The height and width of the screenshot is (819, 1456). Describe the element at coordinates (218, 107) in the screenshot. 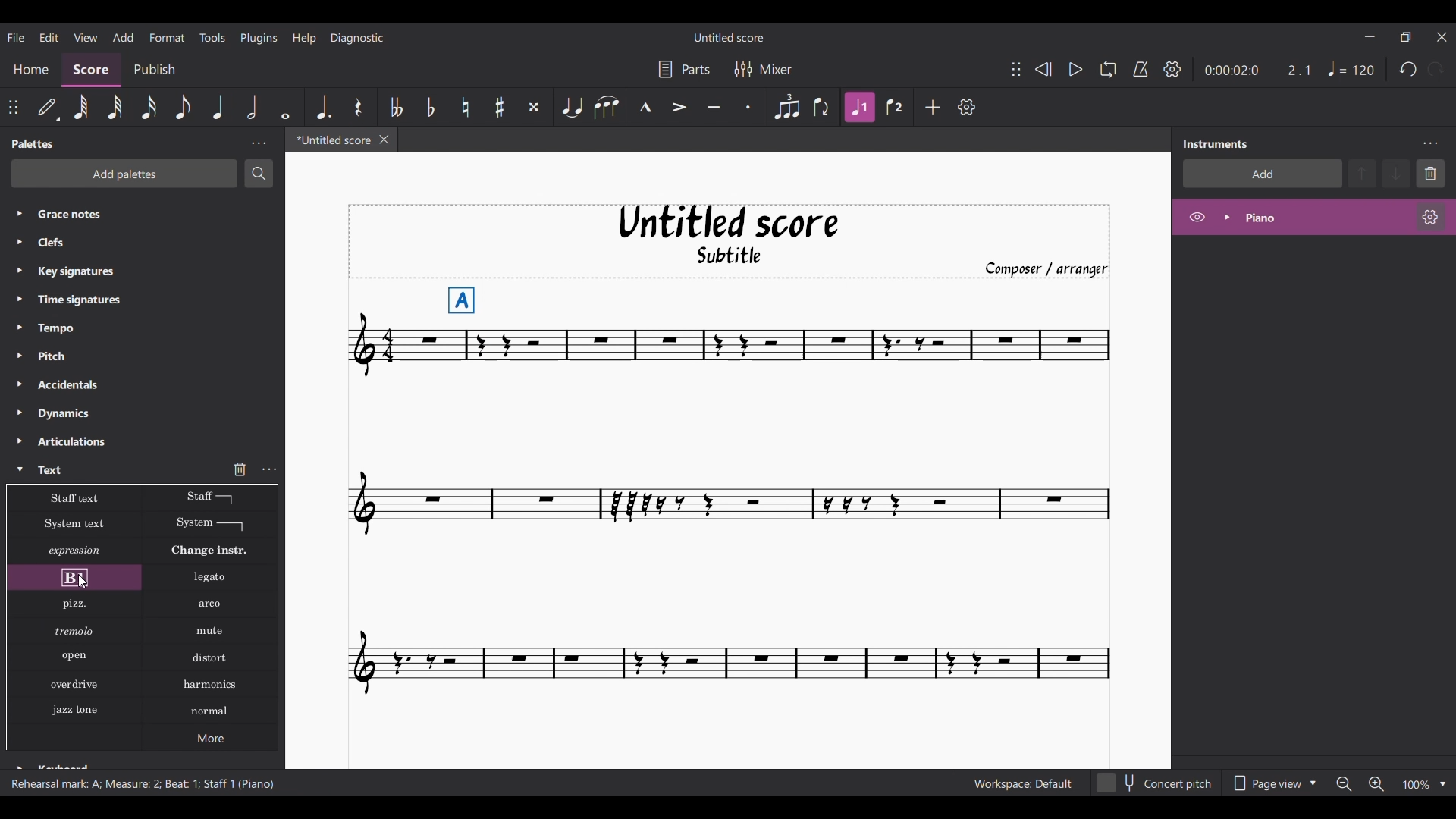

I see `Highlighted after current selection` at that location.